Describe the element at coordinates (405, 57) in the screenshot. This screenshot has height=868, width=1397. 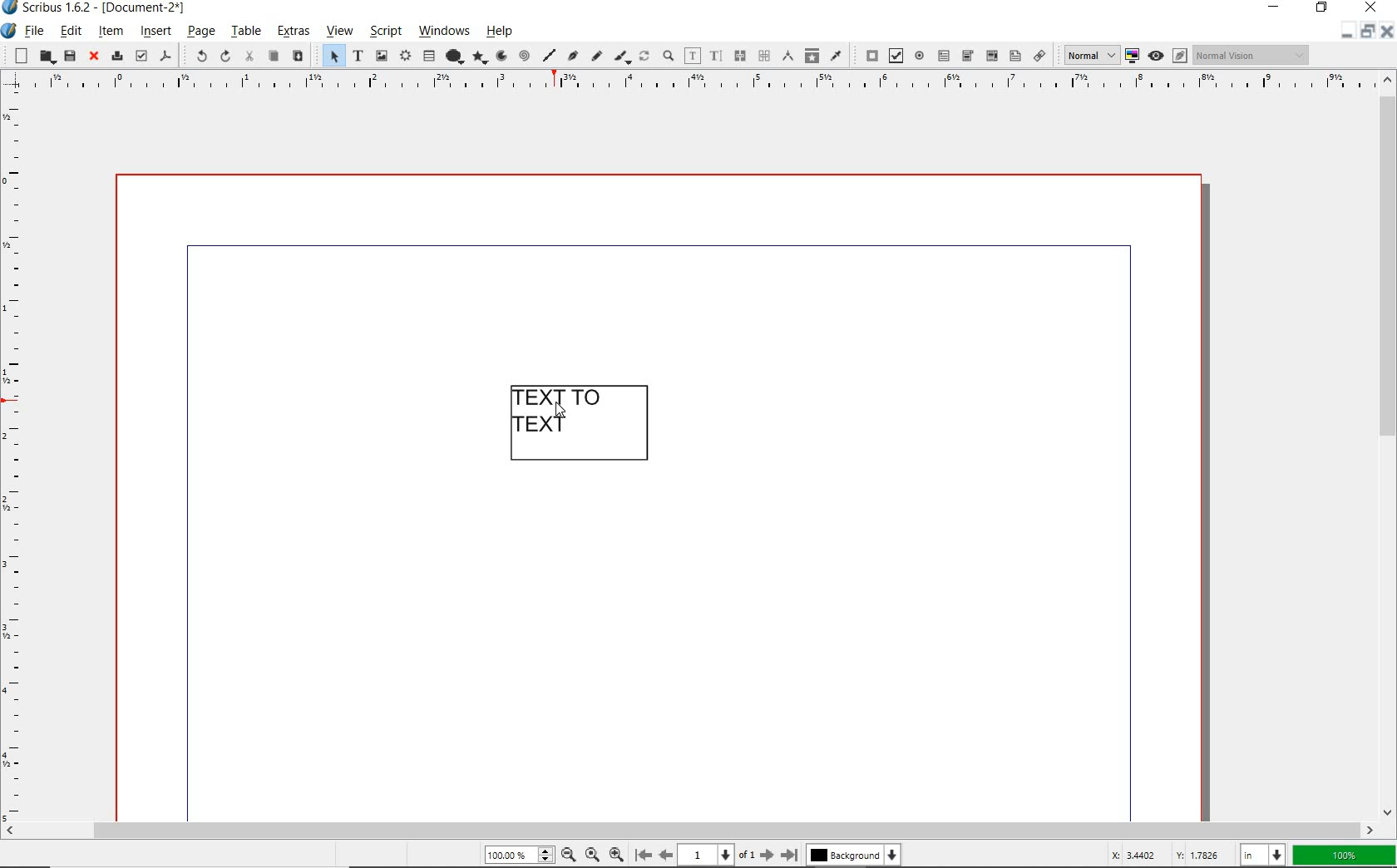
I see `render frame` at that location.